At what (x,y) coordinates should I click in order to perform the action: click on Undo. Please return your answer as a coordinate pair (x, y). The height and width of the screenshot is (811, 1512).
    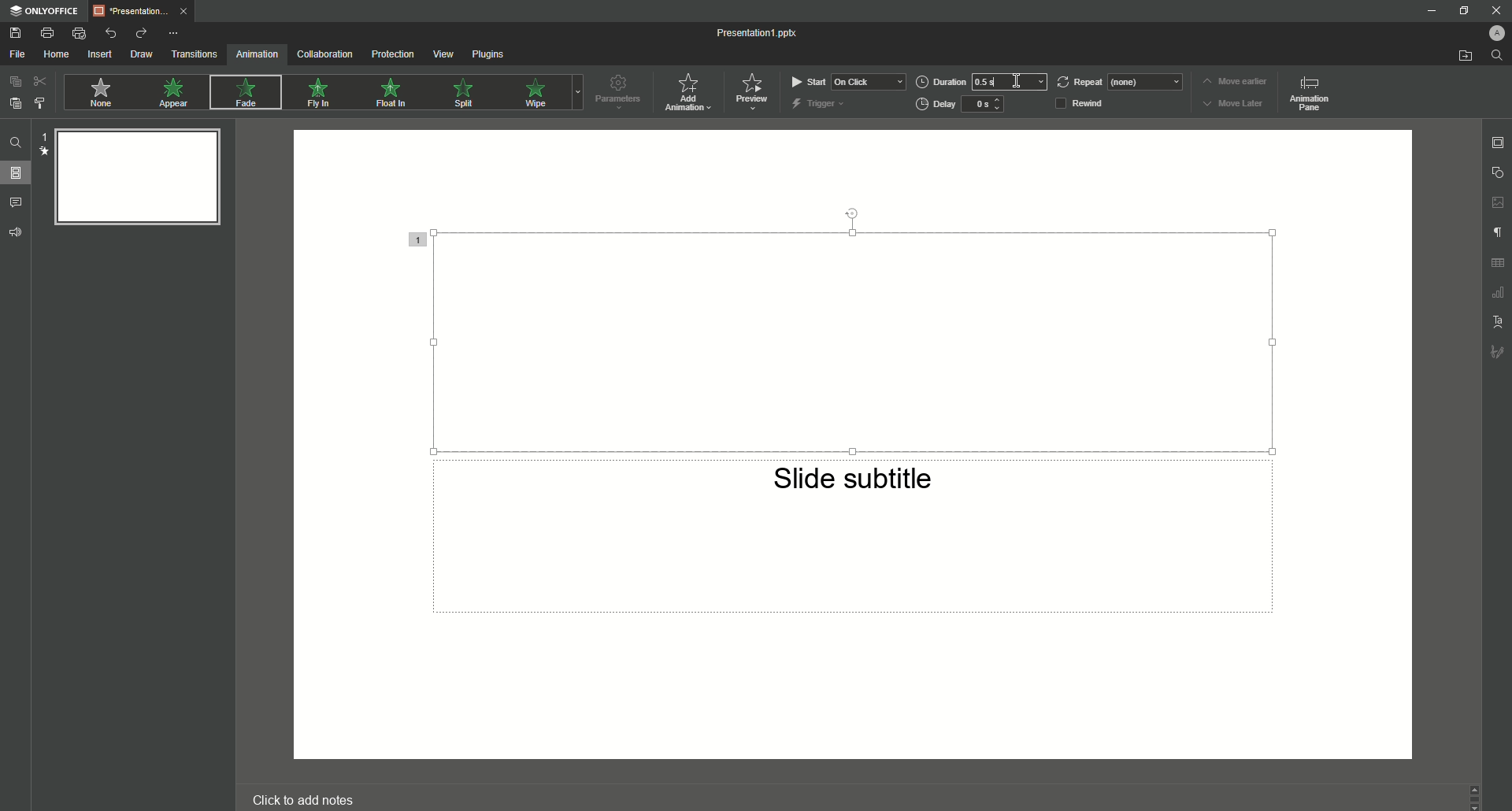
    Looking at the image, I should click on (109, 32).